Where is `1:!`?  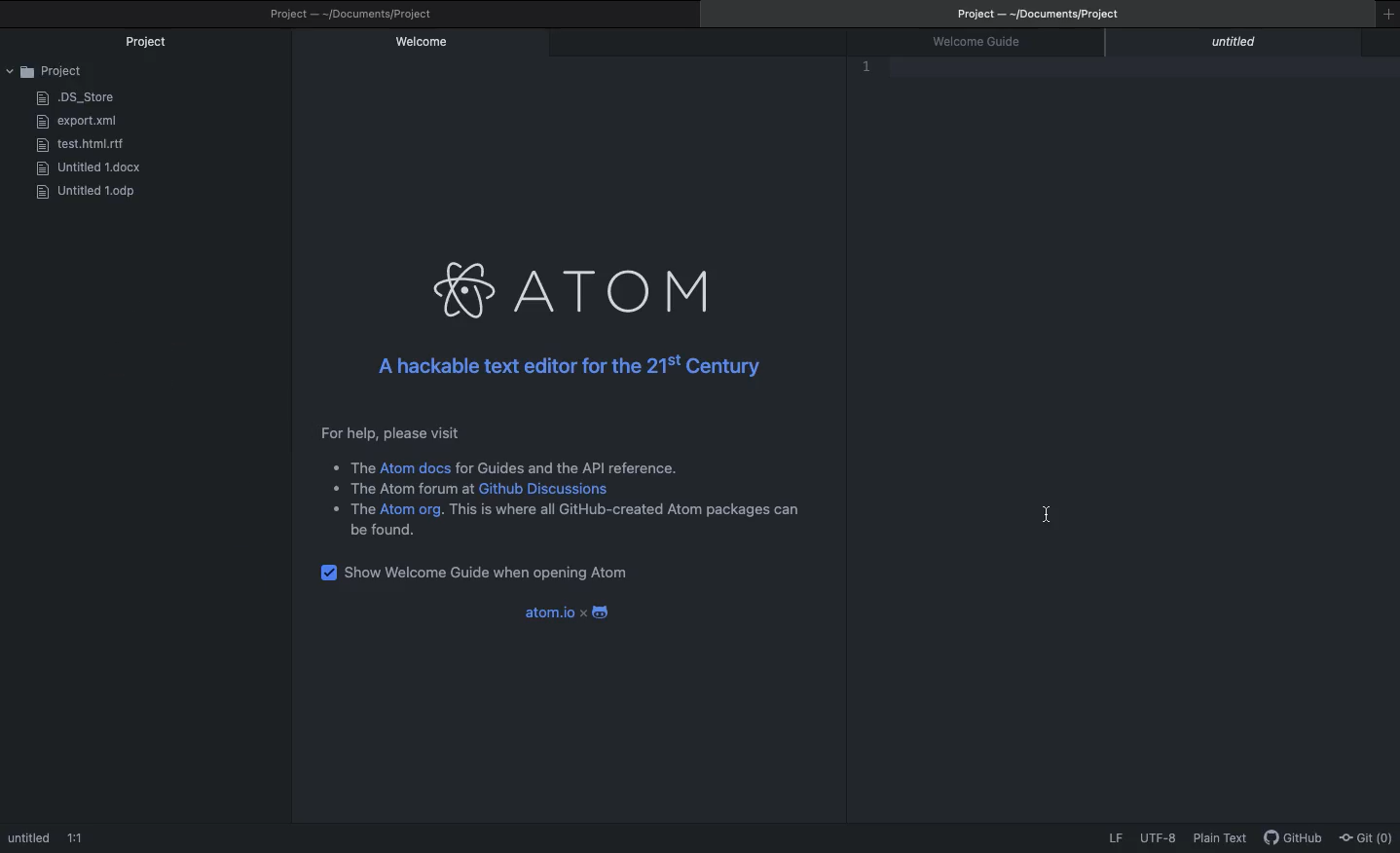
1:! is located at coordinates (79, 838).